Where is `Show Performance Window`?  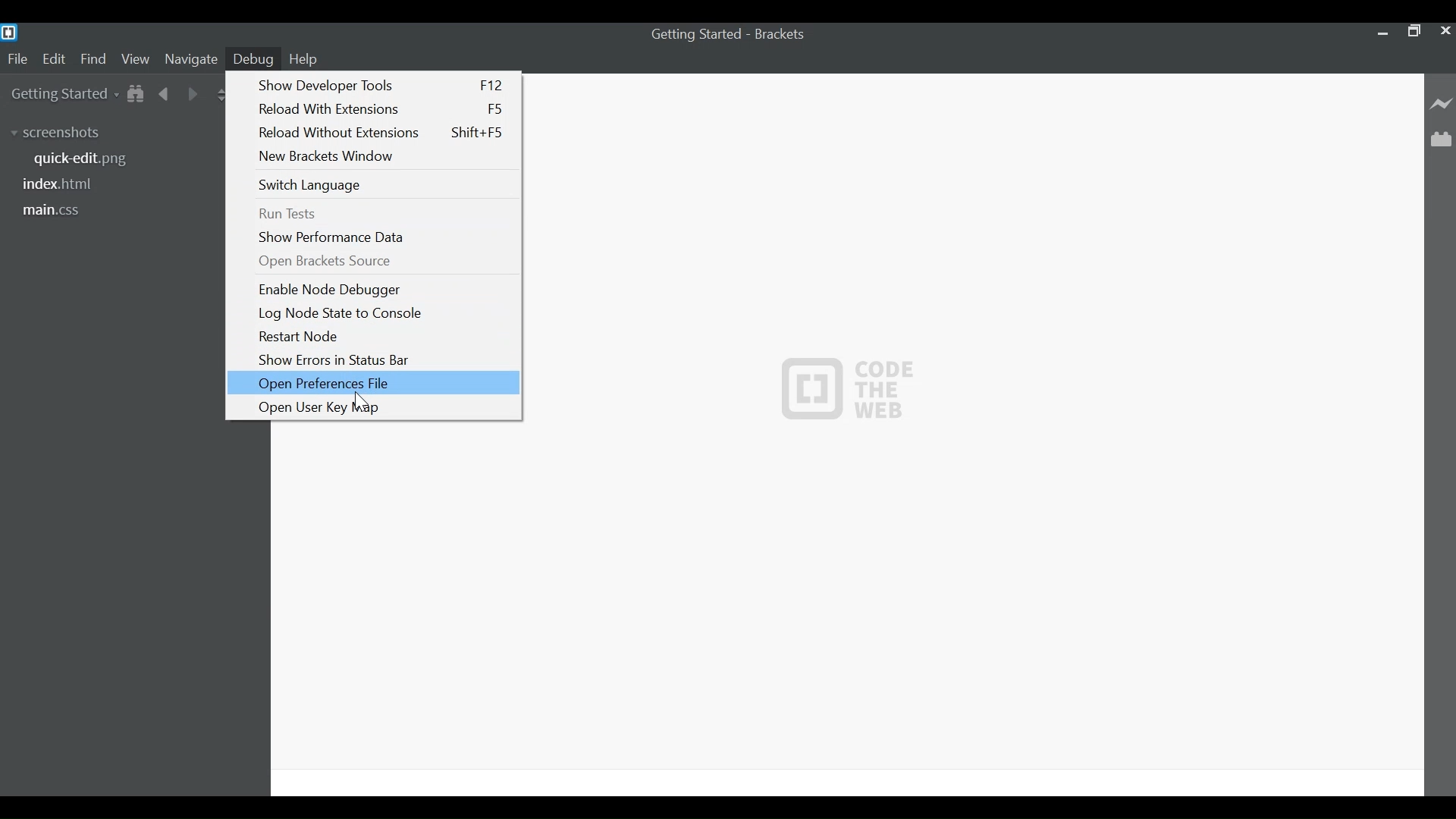 Show Performance Window is located at coordinates (330, 238).